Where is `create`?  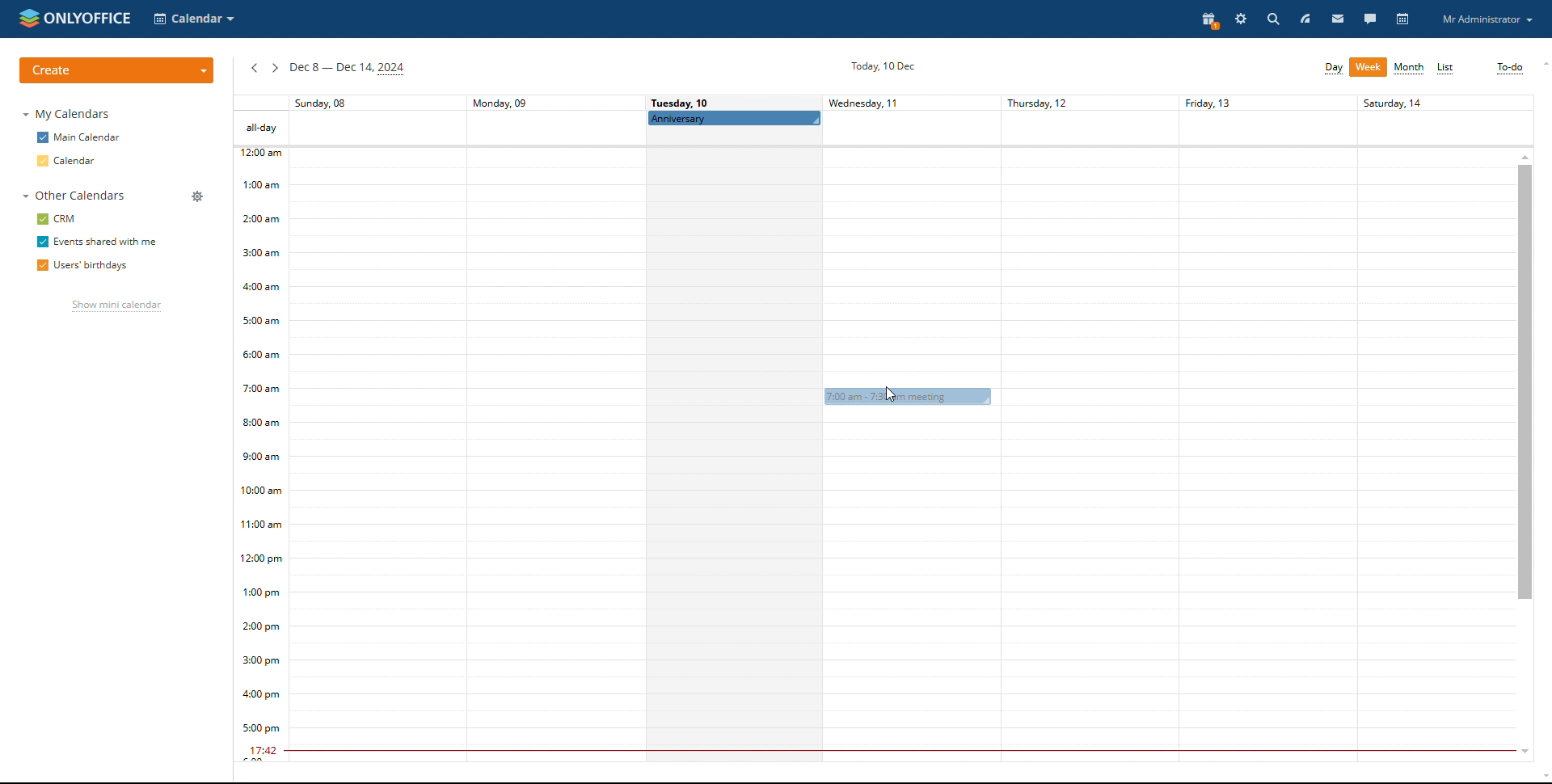 create is located at coordinates (116, 70).